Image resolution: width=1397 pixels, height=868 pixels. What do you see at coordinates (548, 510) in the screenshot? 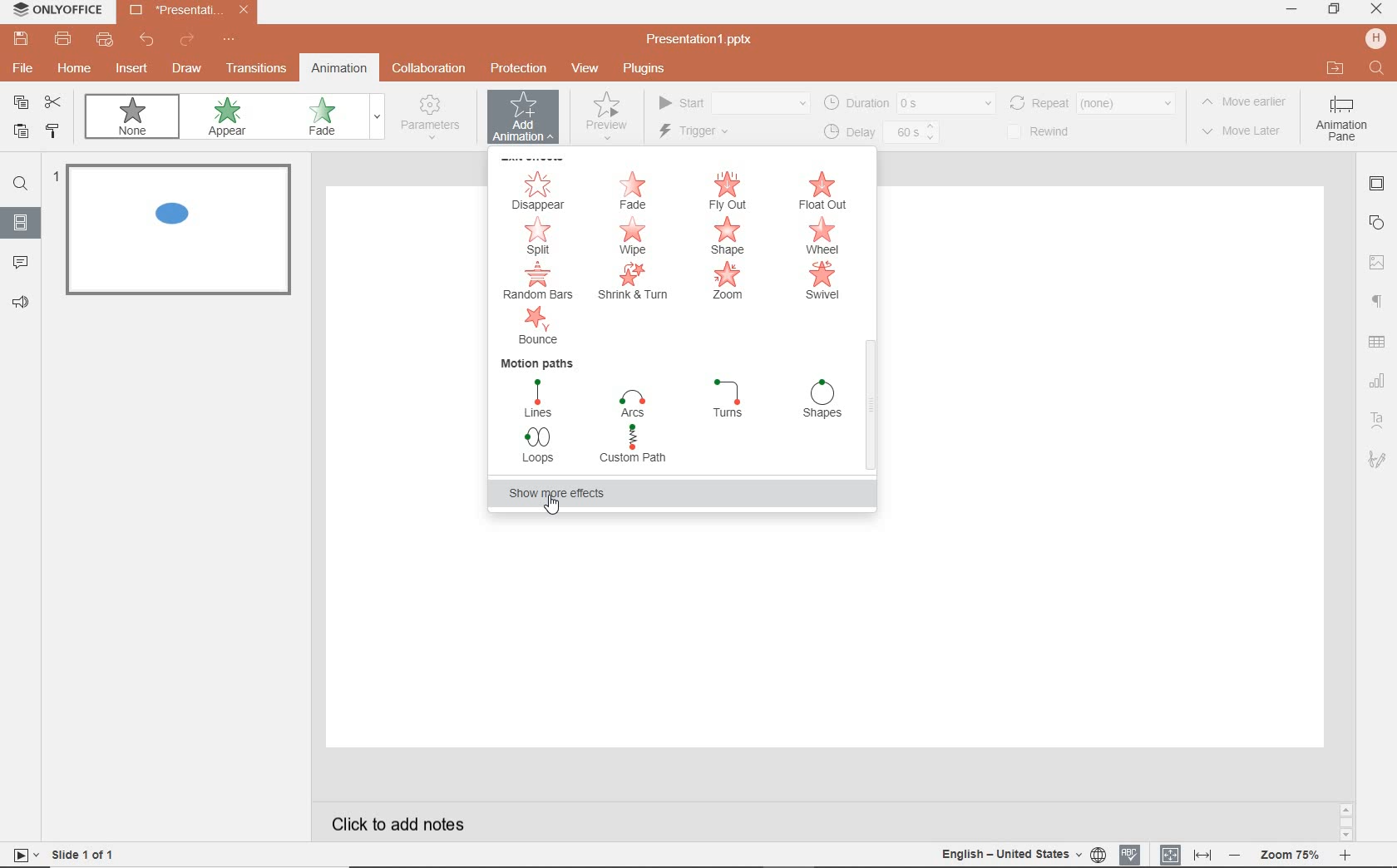
I see `mouse pointer` at bounding box center [548, 510].